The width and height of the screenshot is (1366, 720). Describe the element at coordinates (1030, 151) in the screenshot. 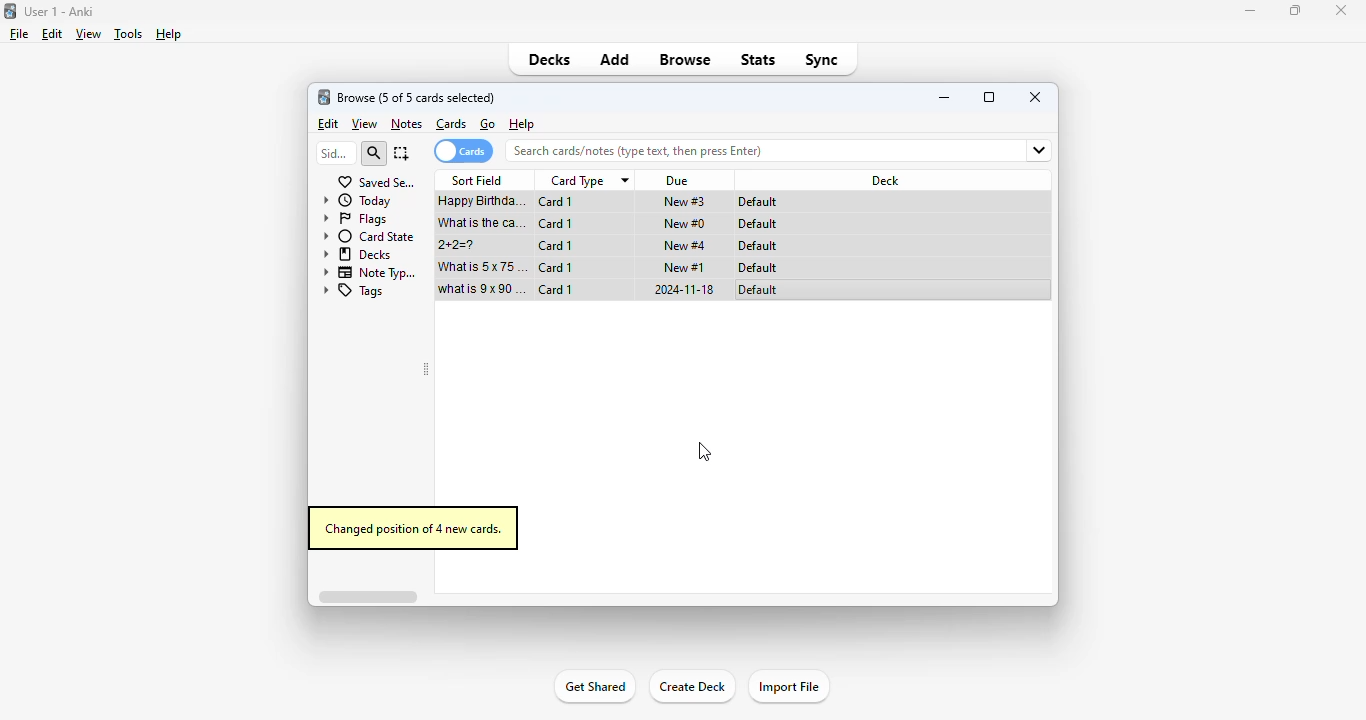

I see `fields` at that location.